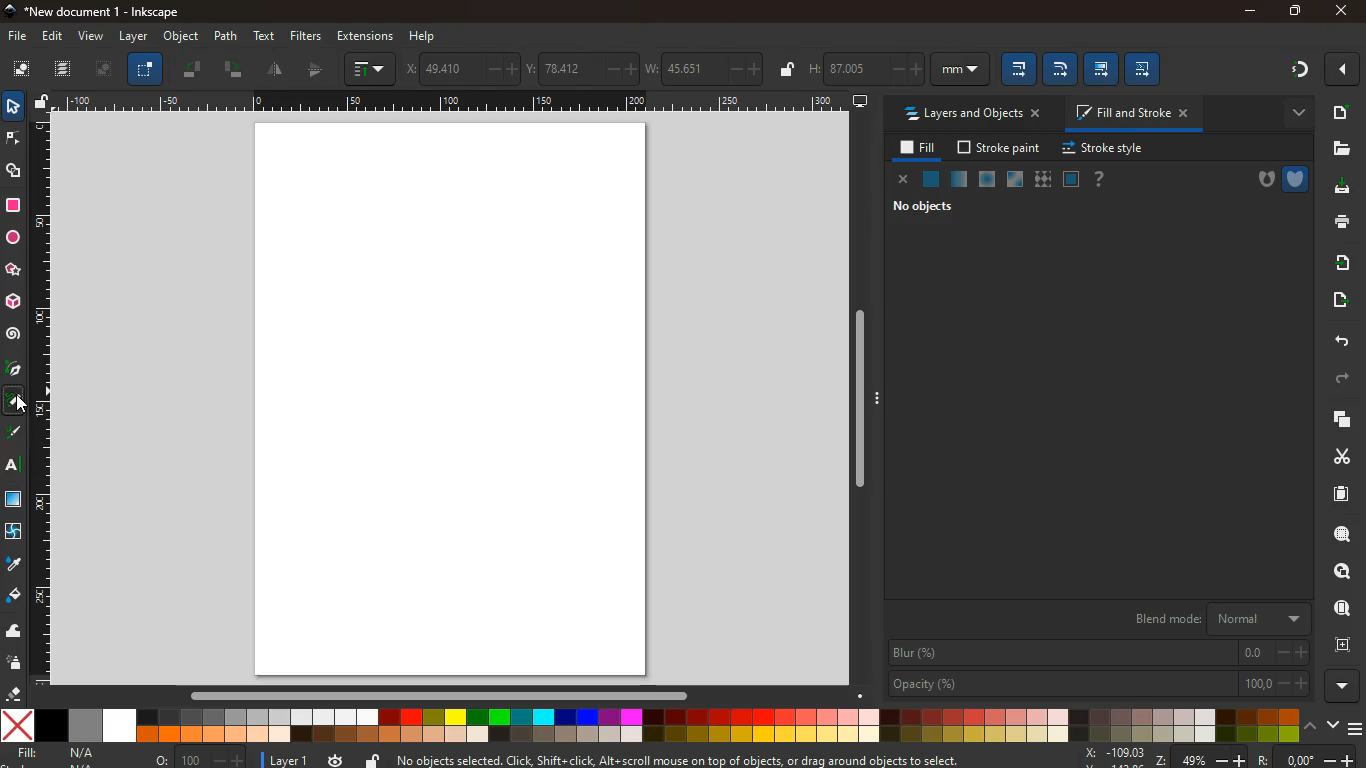 This screenshot has height=768, width=1366. What do you see at coordinates (1339, 342) in the screenshot?
I see `back` at bounding box center [1339, 342].